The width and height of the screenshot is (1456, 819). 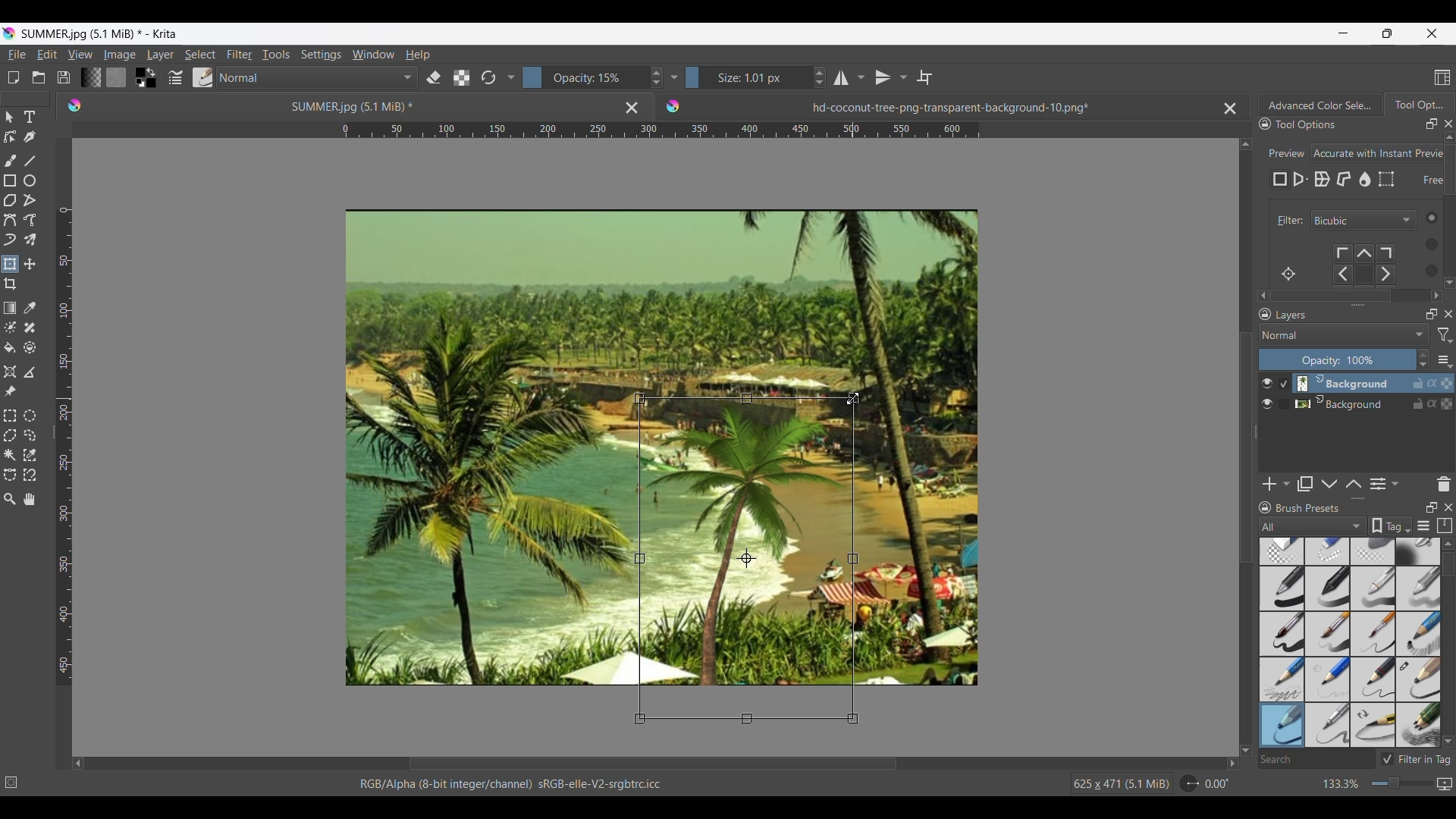 I want to click on Lock docker inputs, so click(x=1265, y=124).